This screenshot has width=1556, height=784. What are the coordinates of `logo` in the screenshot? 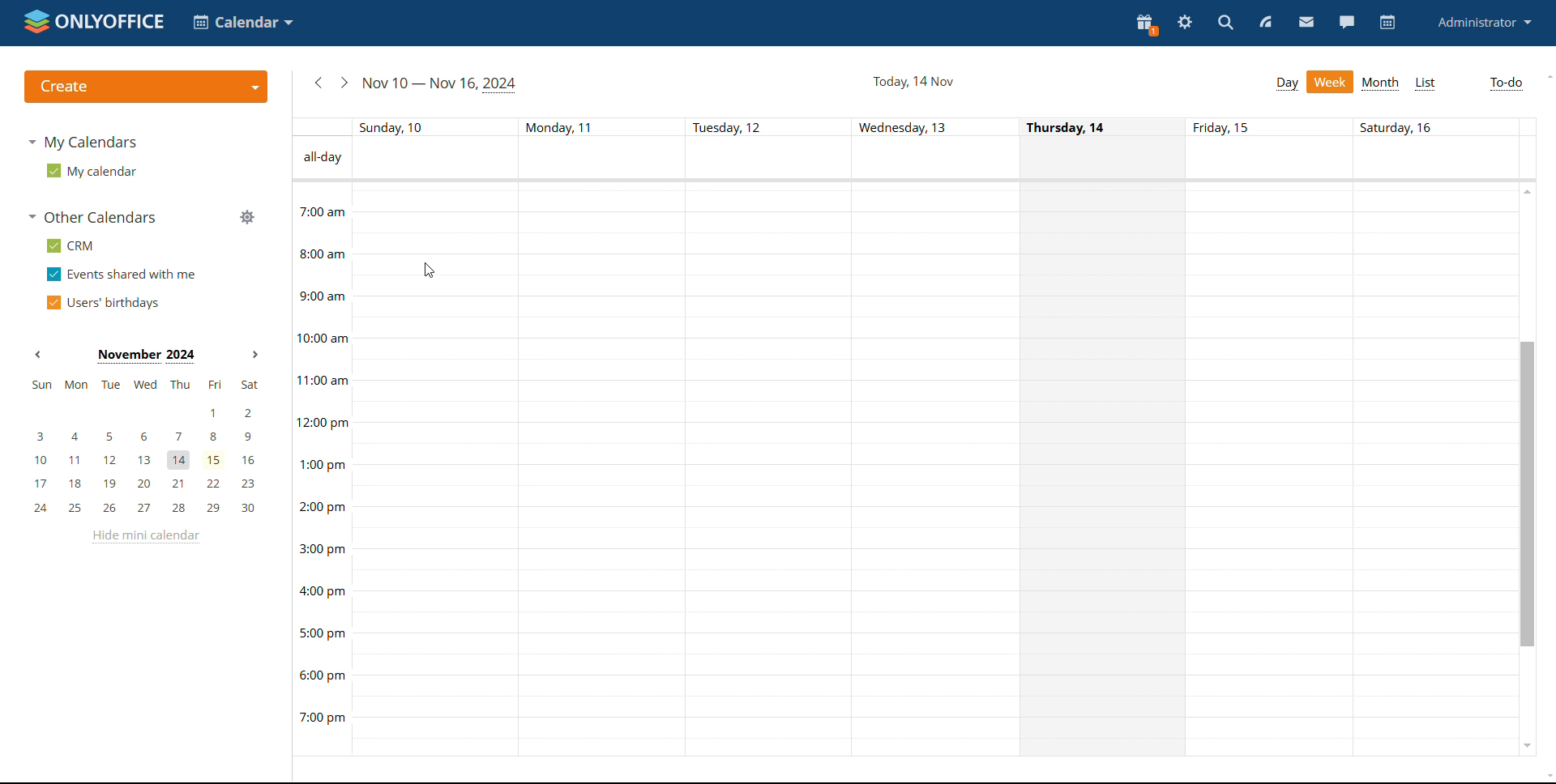 It's located at (94, 21).